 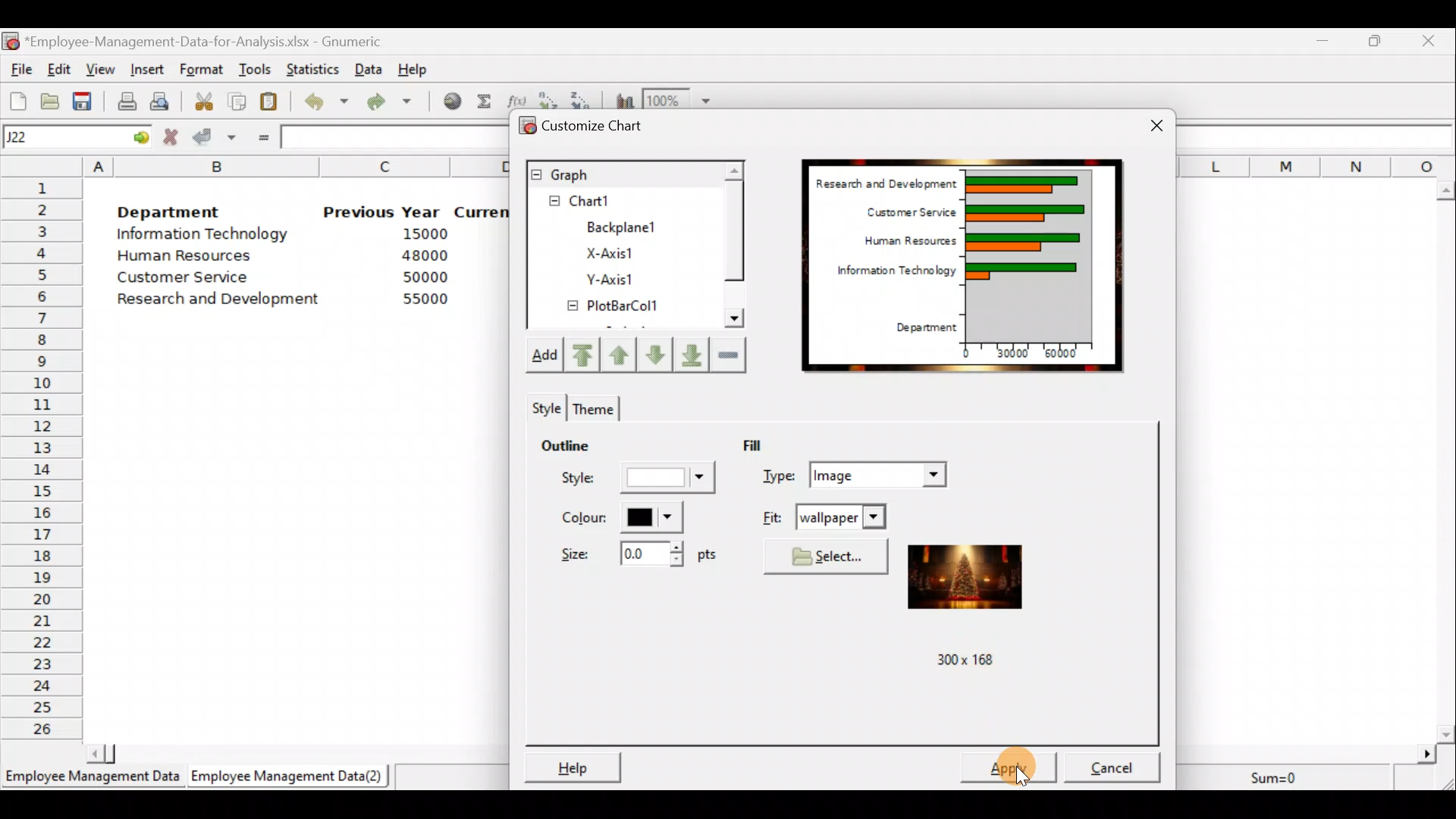 I want to click on Human Resources, so click(x=899, y=242).